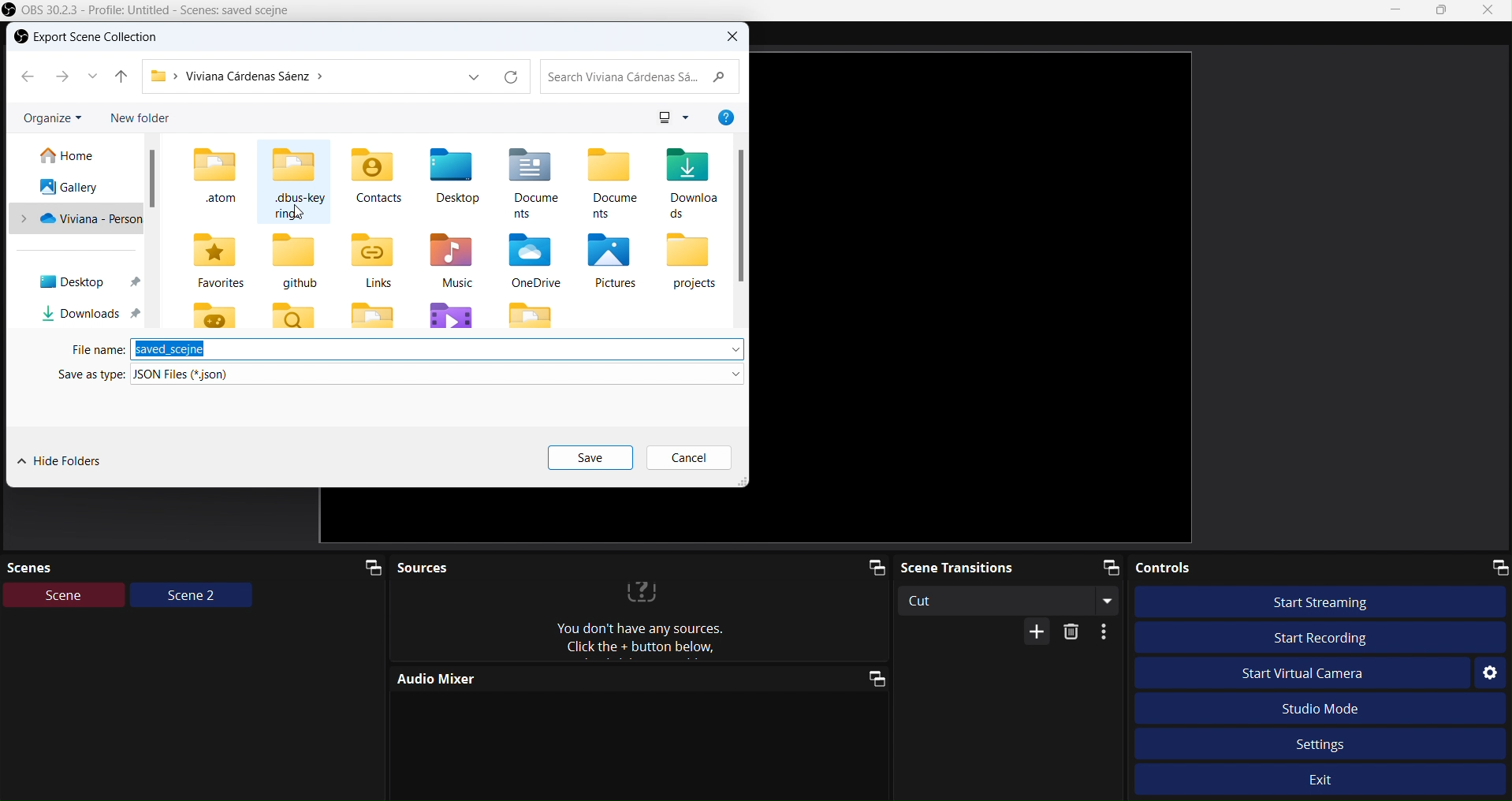  What do you see at coordinates (473, 78) in the screenshot?
I see `previous locations` at bounding box center [473, 78].